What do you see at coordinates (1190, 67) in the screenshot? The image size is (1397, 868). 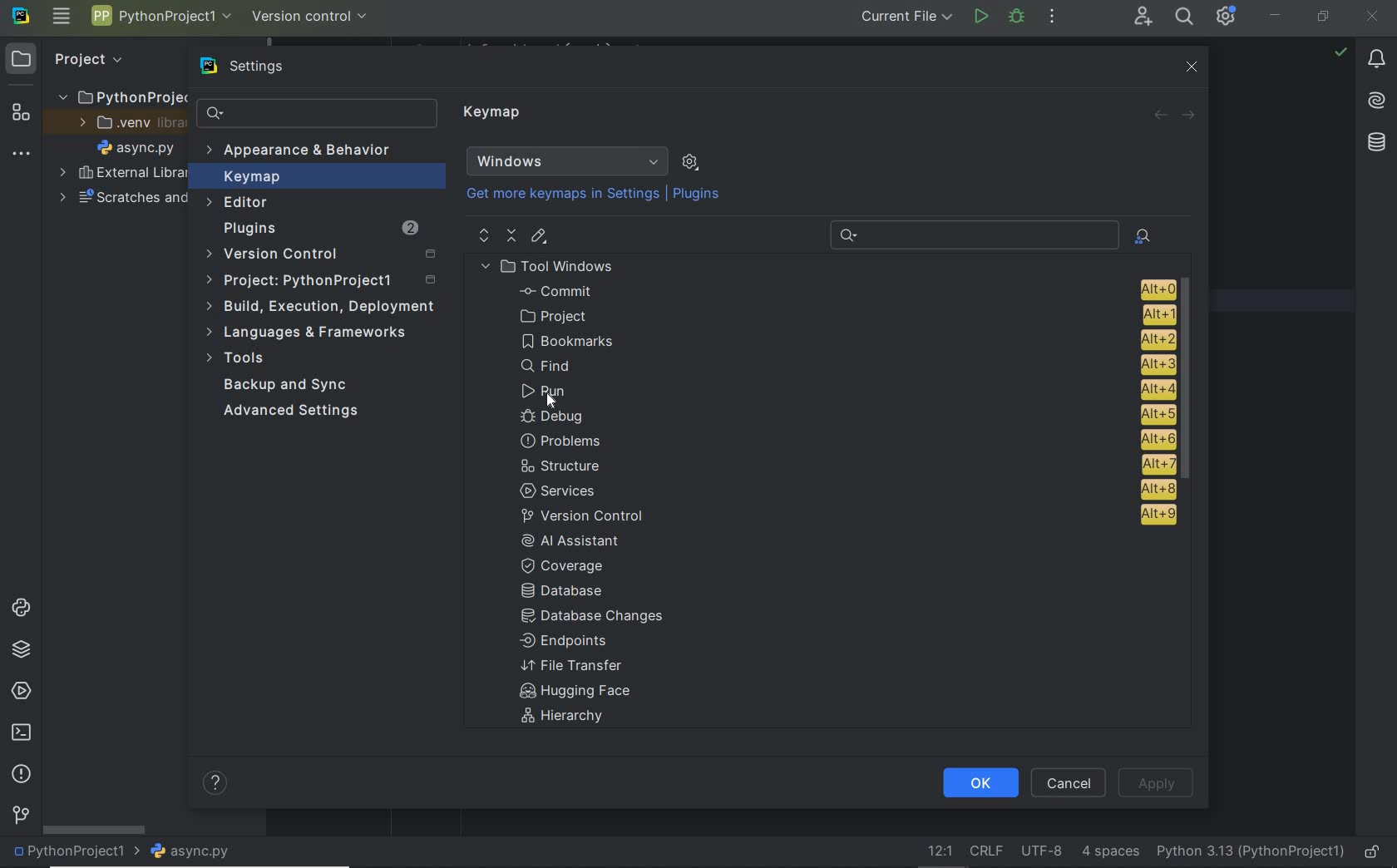 I see `close` at bounding box center [1190, 67].